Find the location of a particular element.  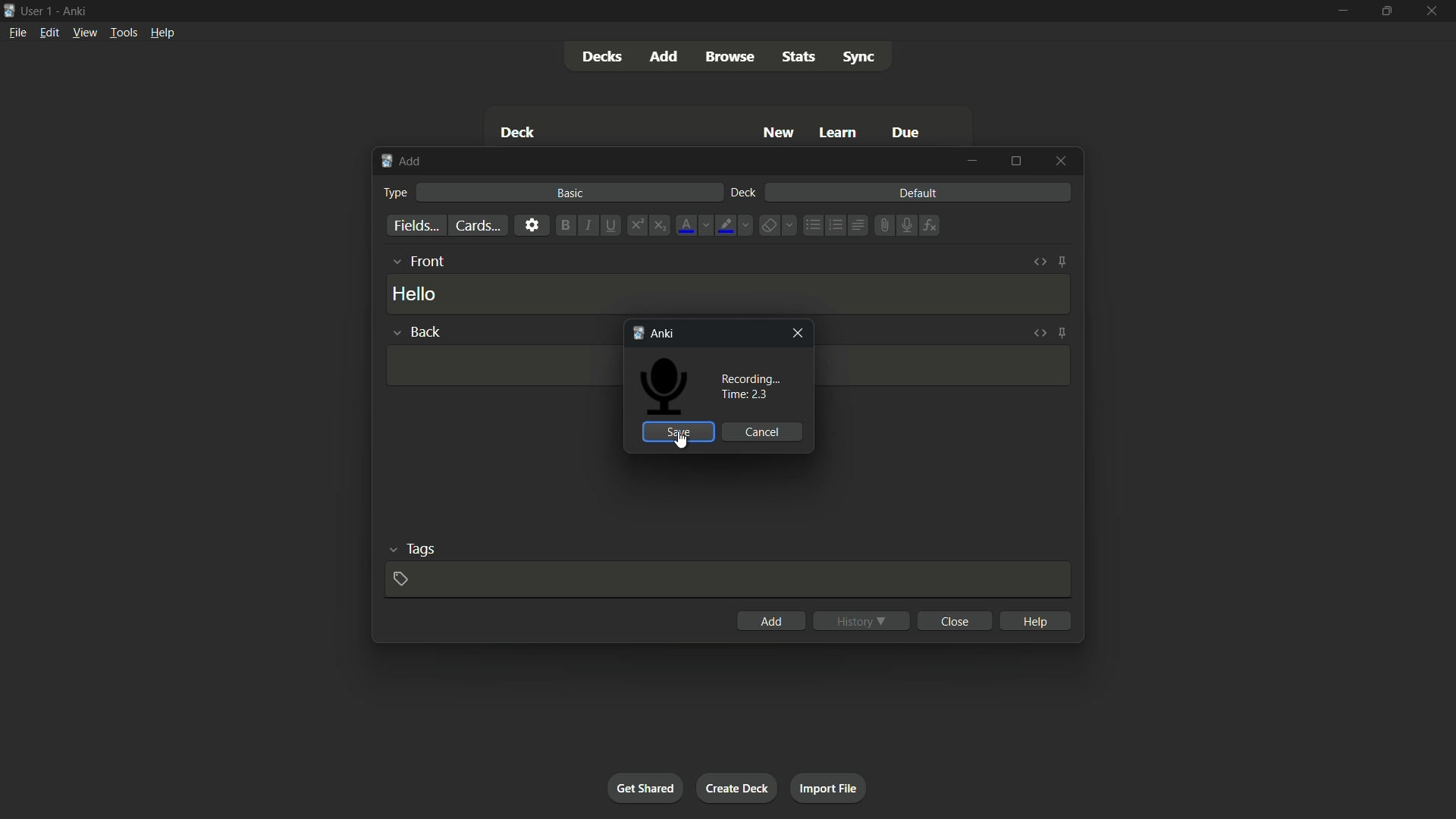

underline is located at coordinates (610, 224).